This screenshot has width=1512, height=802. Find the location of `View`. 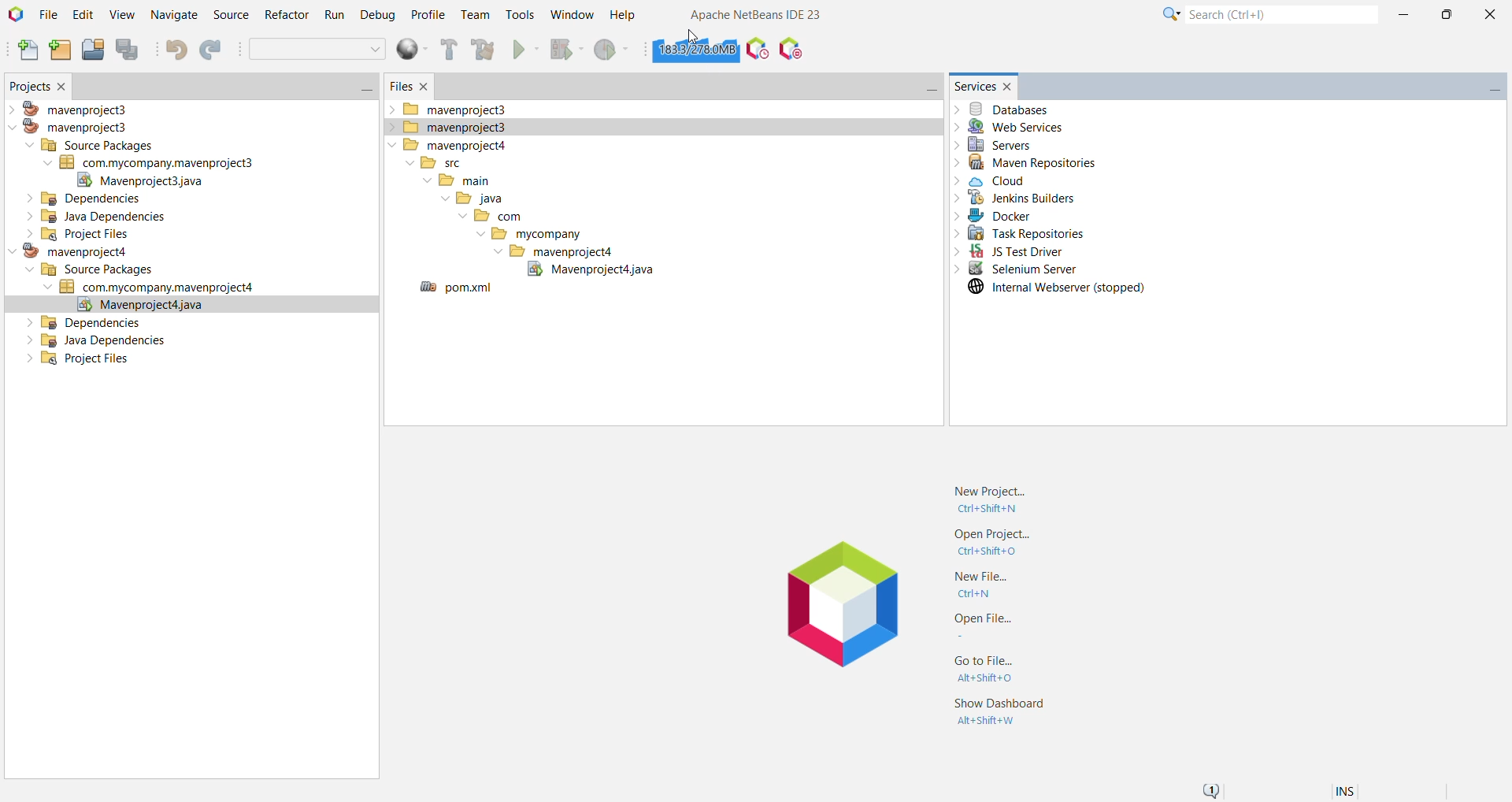

View is located at coordinates (122, 16).